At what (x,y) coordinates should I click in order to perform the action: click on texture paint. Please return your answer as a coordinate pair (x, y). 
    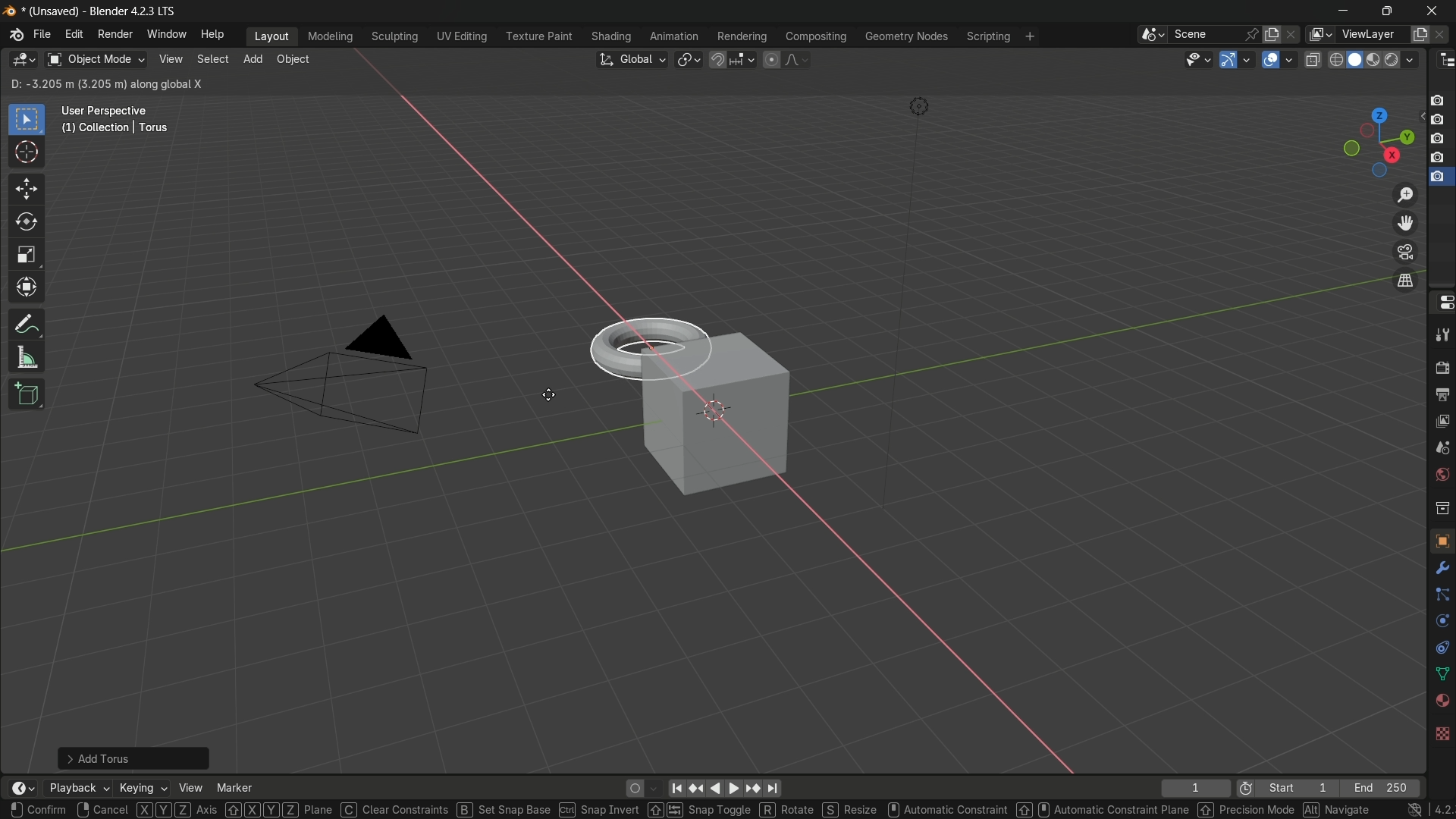
    Looking at the image, I should click on (538, 36).